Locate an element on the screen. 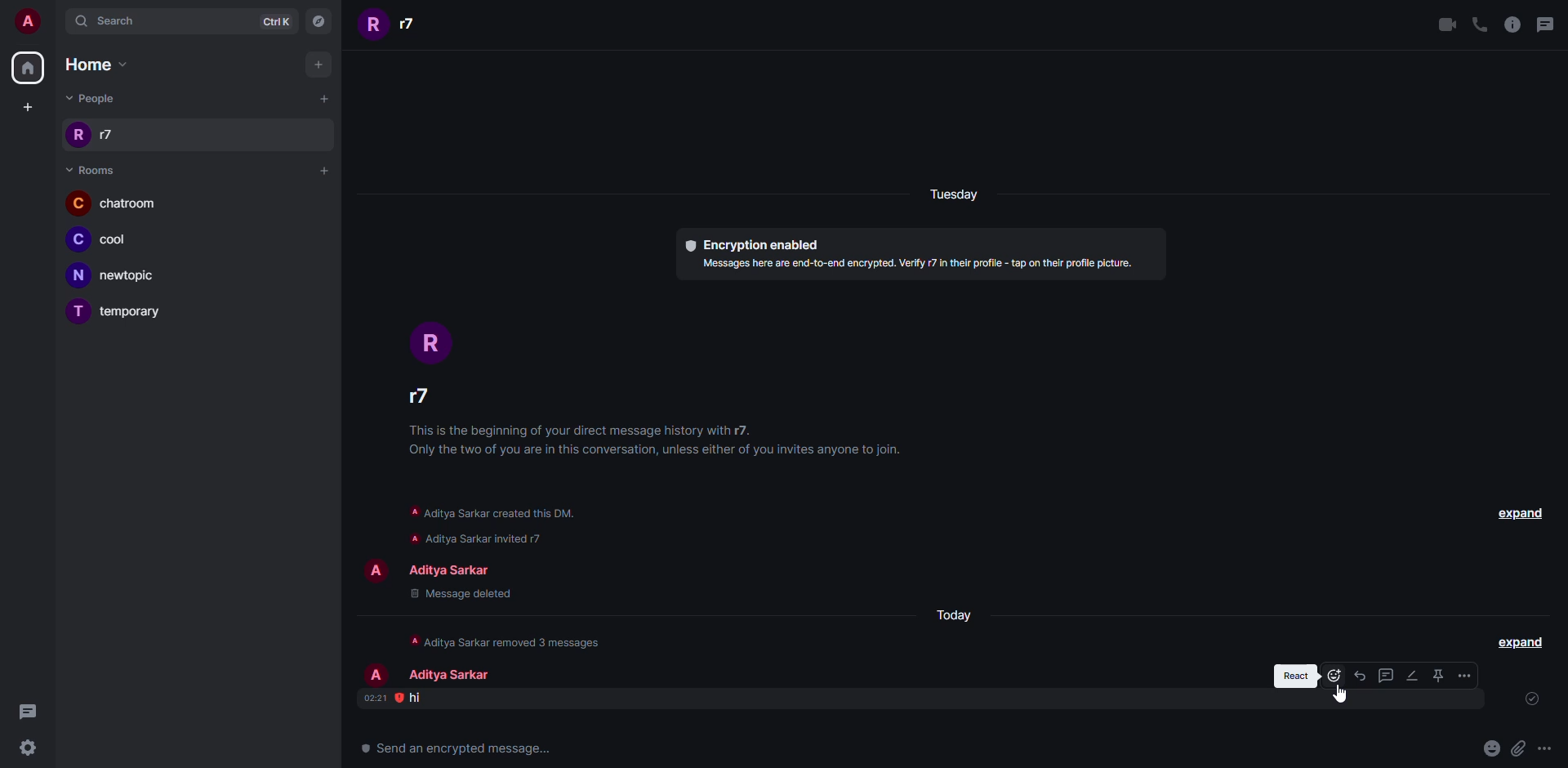 This screenshot has width=1568, height=768. edit is located at coordinates (1412, 675).